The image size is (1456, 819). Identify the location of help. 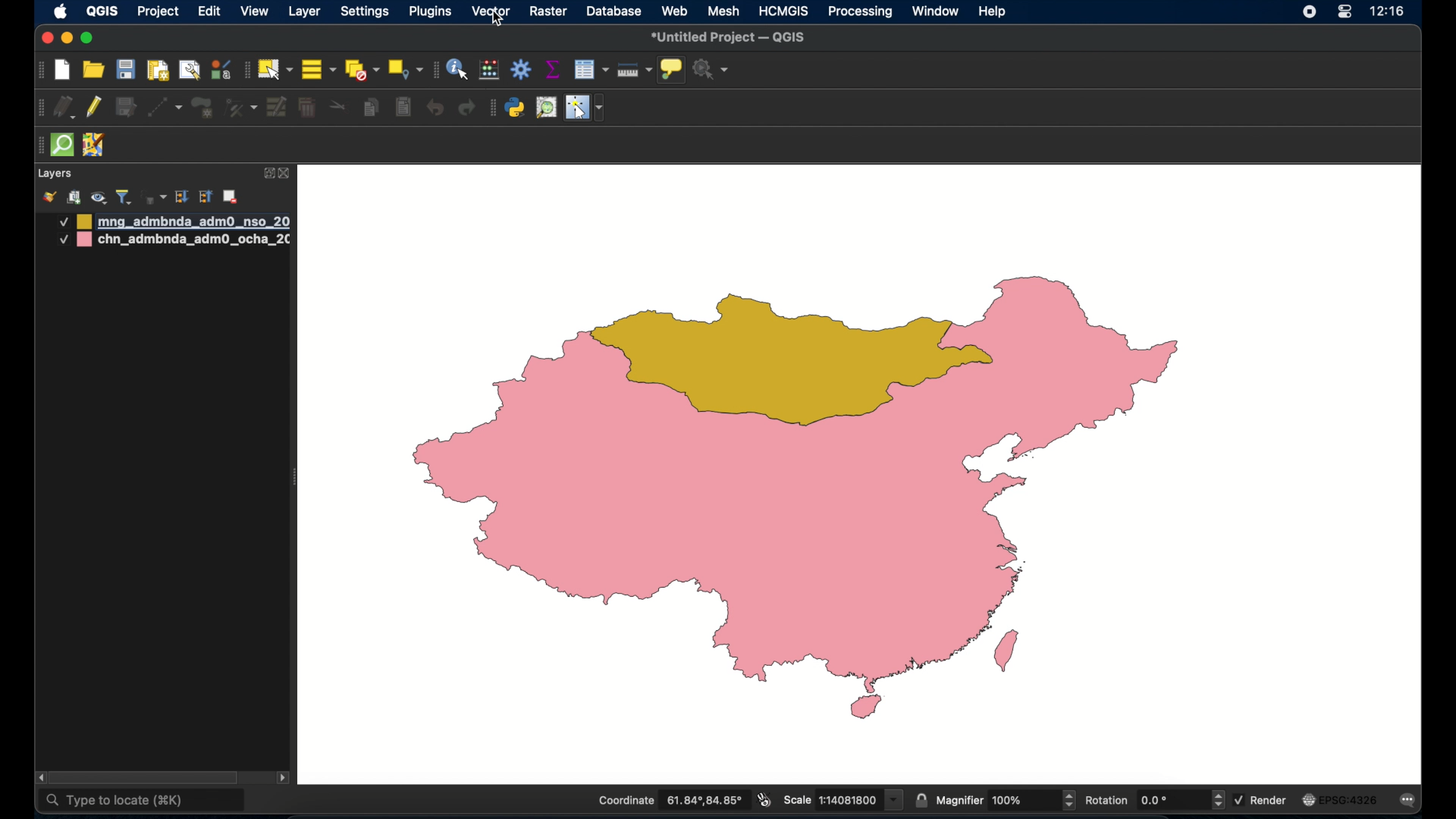
(993, 11).